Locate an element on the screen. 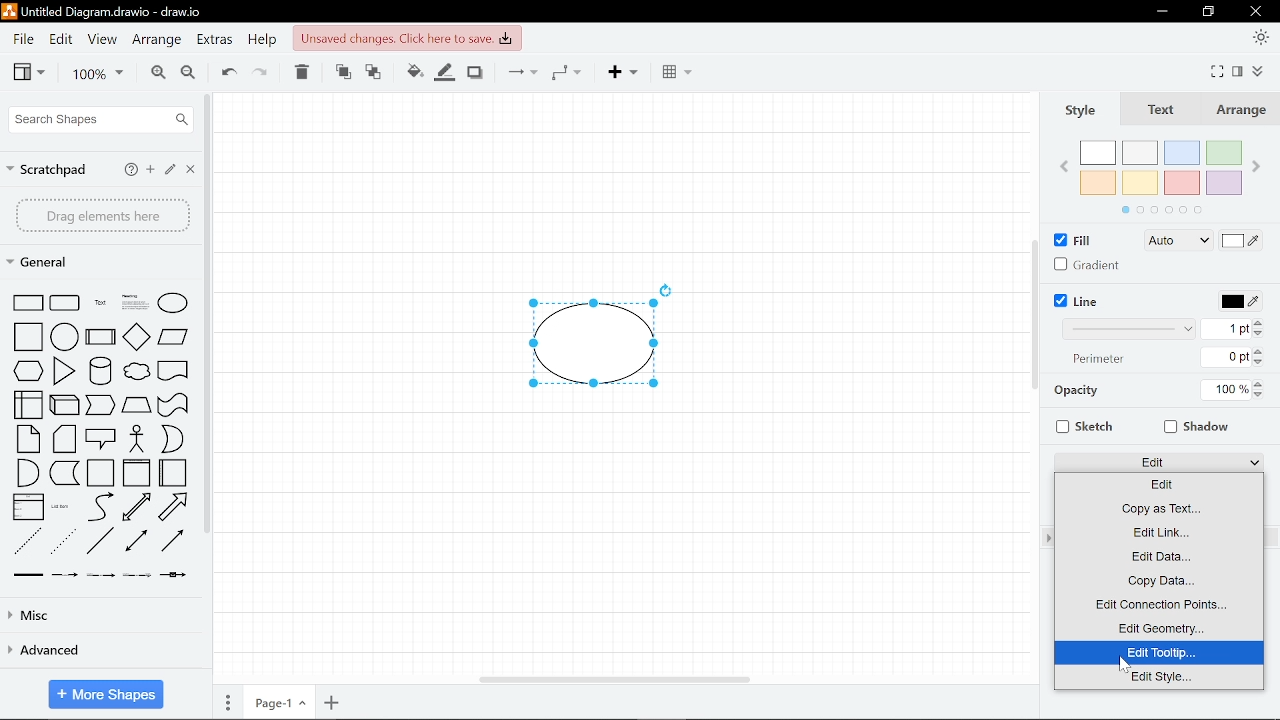 Image resolution: width=1280 pixels, height=720 pixels. Help is located at coordinates (263, 41).